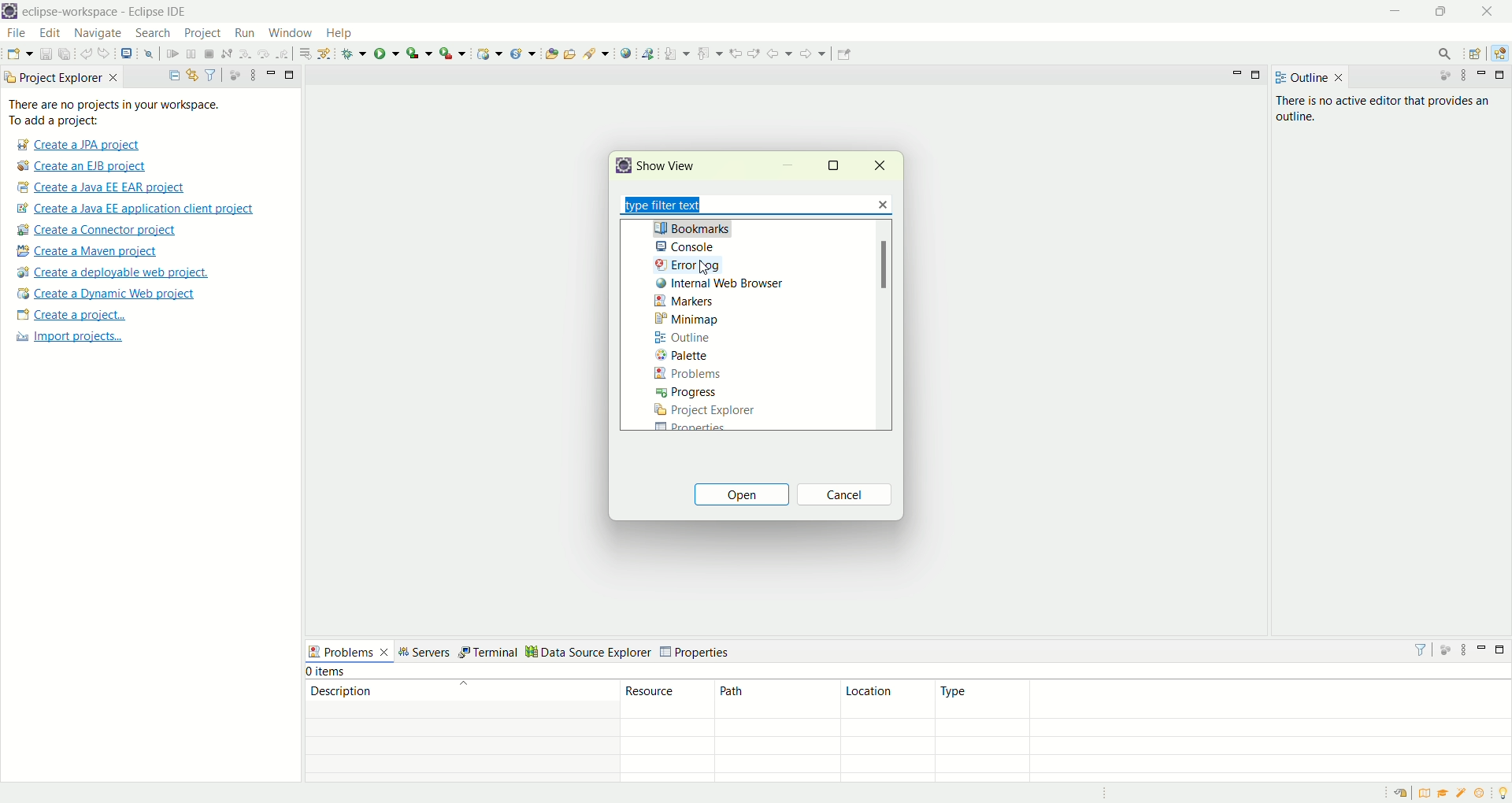 The width and height of the screenshot is (1512, 803). What do you see at coordinates (788, 165) in the screenshot?
I see `minimize` at bounding box center [788, 165].